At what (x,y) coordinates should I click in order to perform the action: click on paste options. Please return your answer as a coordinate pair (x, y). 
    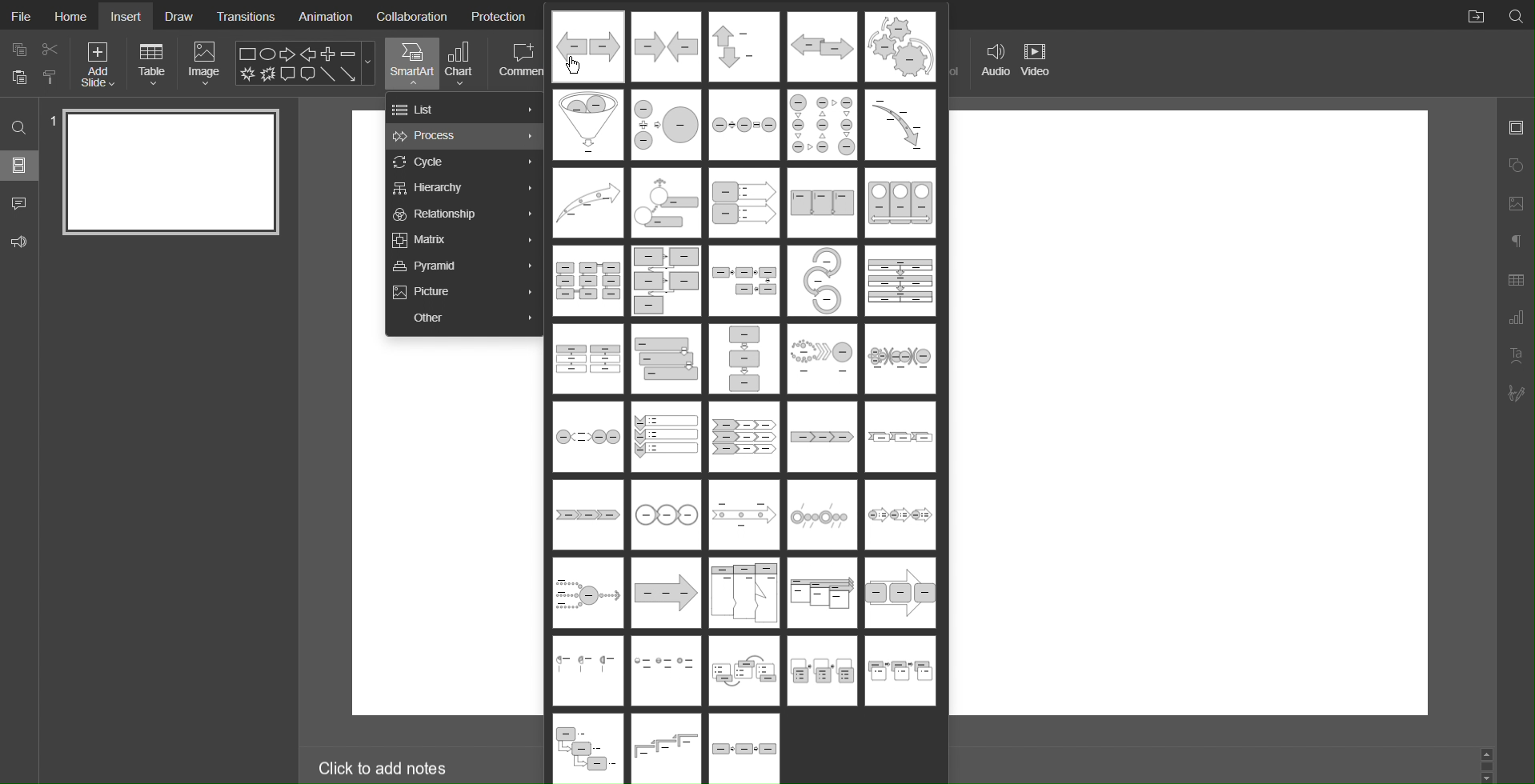
    Looking at the image, I should click on (51, 79).